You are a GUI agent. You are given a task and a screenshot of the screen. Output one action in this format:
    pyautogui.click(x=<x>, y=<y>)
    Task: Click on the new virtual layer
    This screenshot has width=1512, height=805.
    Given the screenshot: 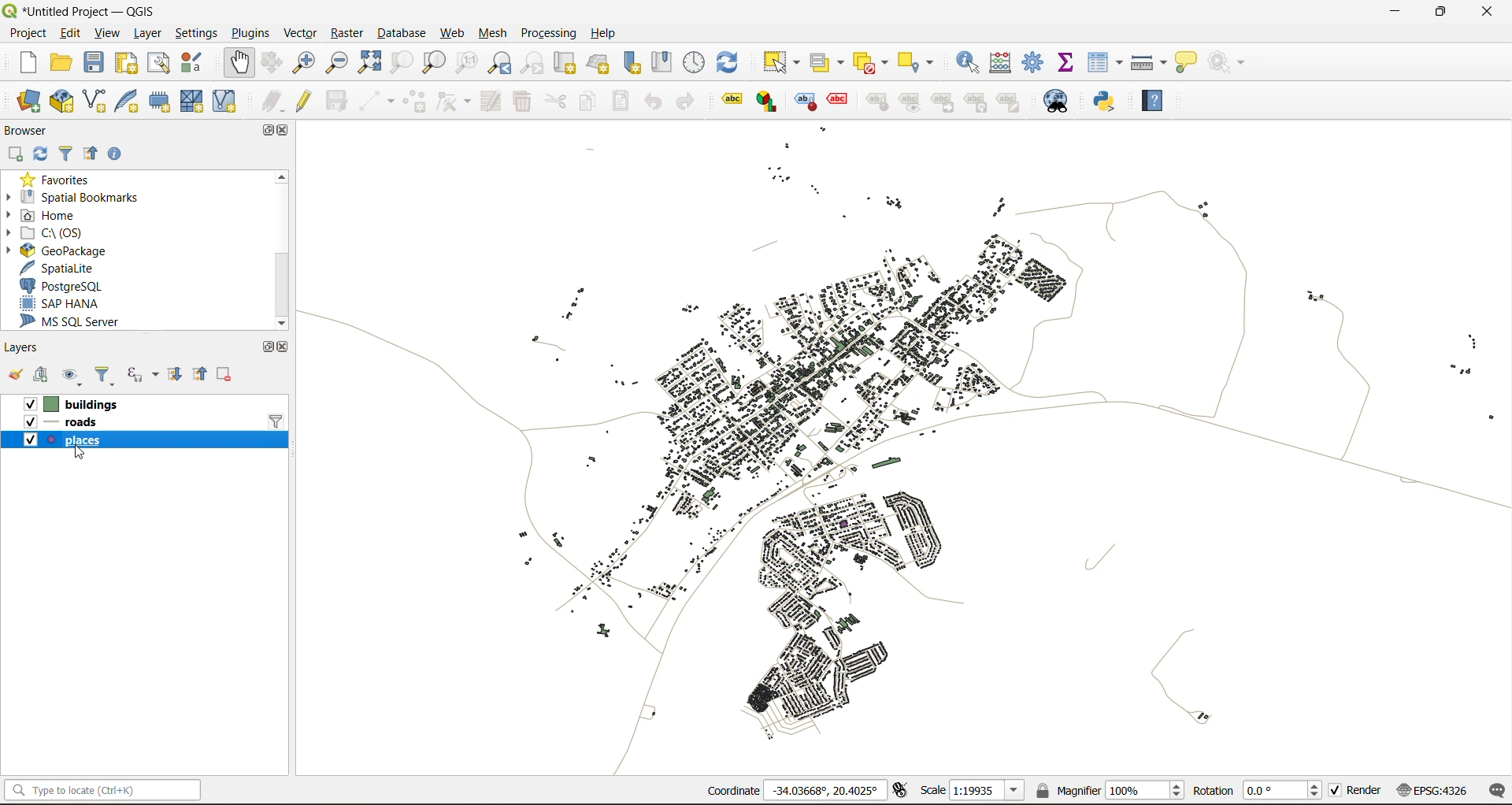 What is the action you would take?
    pyautogui.click(x=228, y=102)
    